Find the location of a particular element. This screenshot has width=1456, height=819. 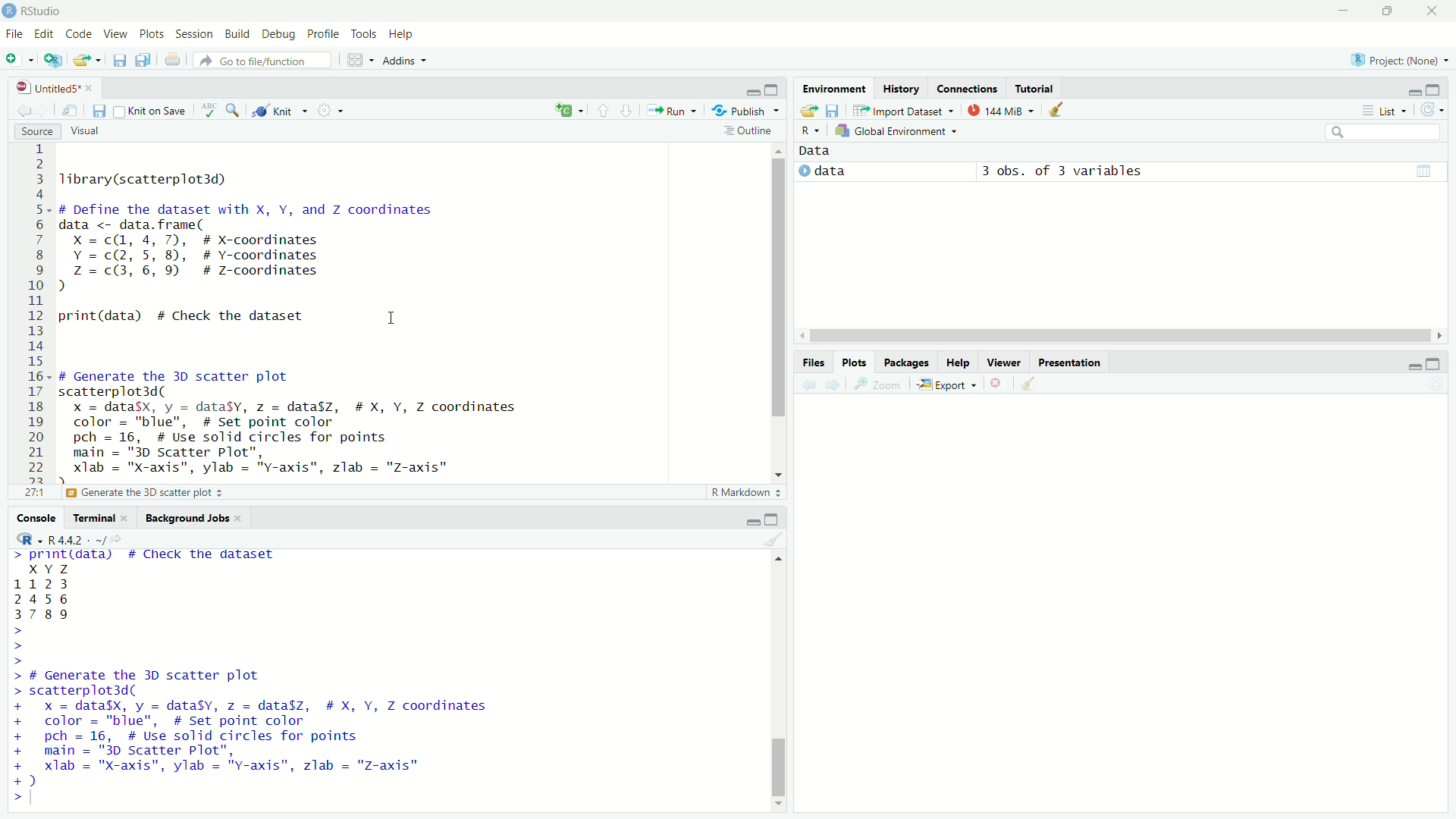

minimize is located at coordinates (749, 89).